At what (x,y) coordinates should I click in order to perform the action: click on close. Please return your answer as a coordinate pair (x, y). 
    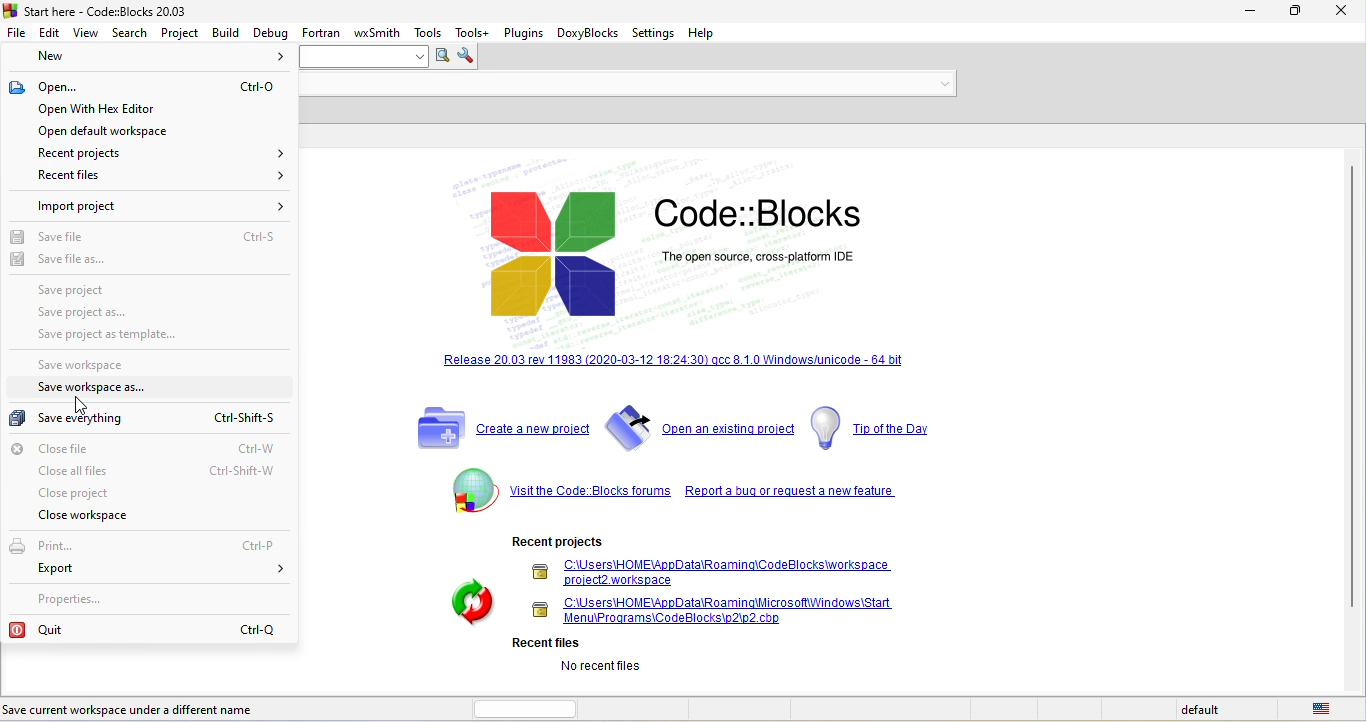
    Looking at the image, I should click on (1343, 14).